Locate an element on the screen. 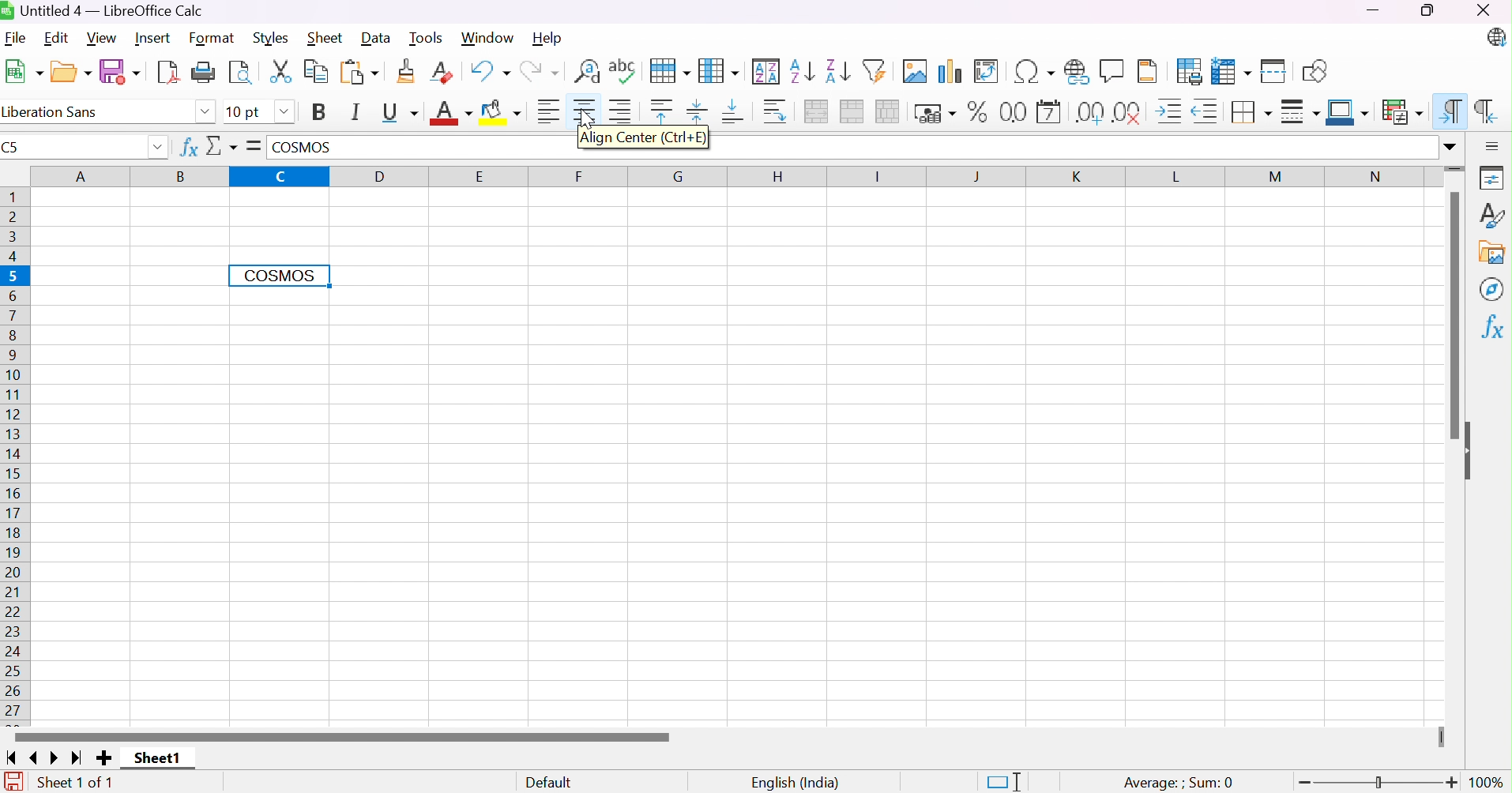 The image size is (1512, 793). Properties is located at coordinates (1495, 179).